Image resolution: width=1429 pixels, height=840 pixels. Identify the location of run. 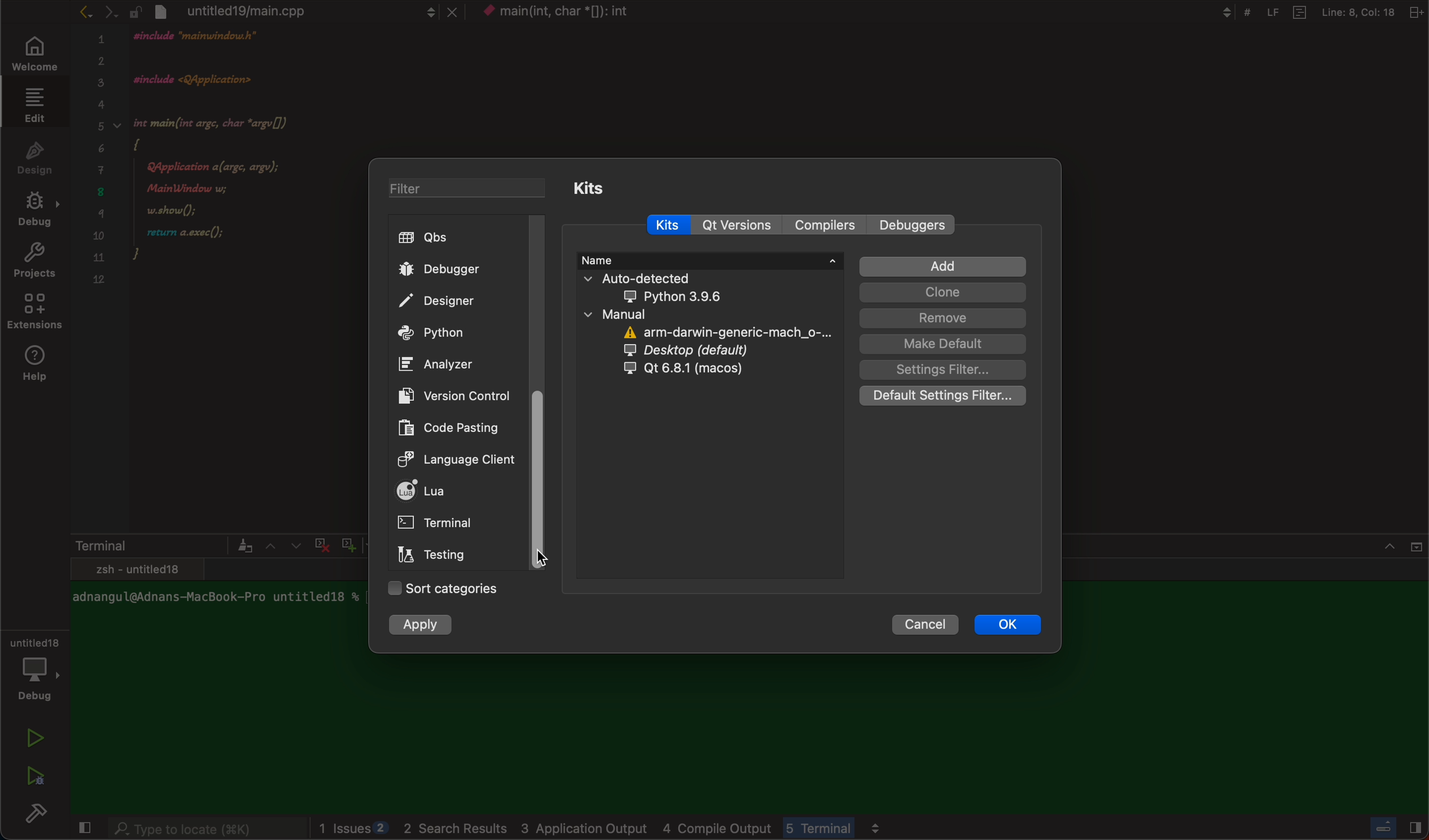
(36, 738).